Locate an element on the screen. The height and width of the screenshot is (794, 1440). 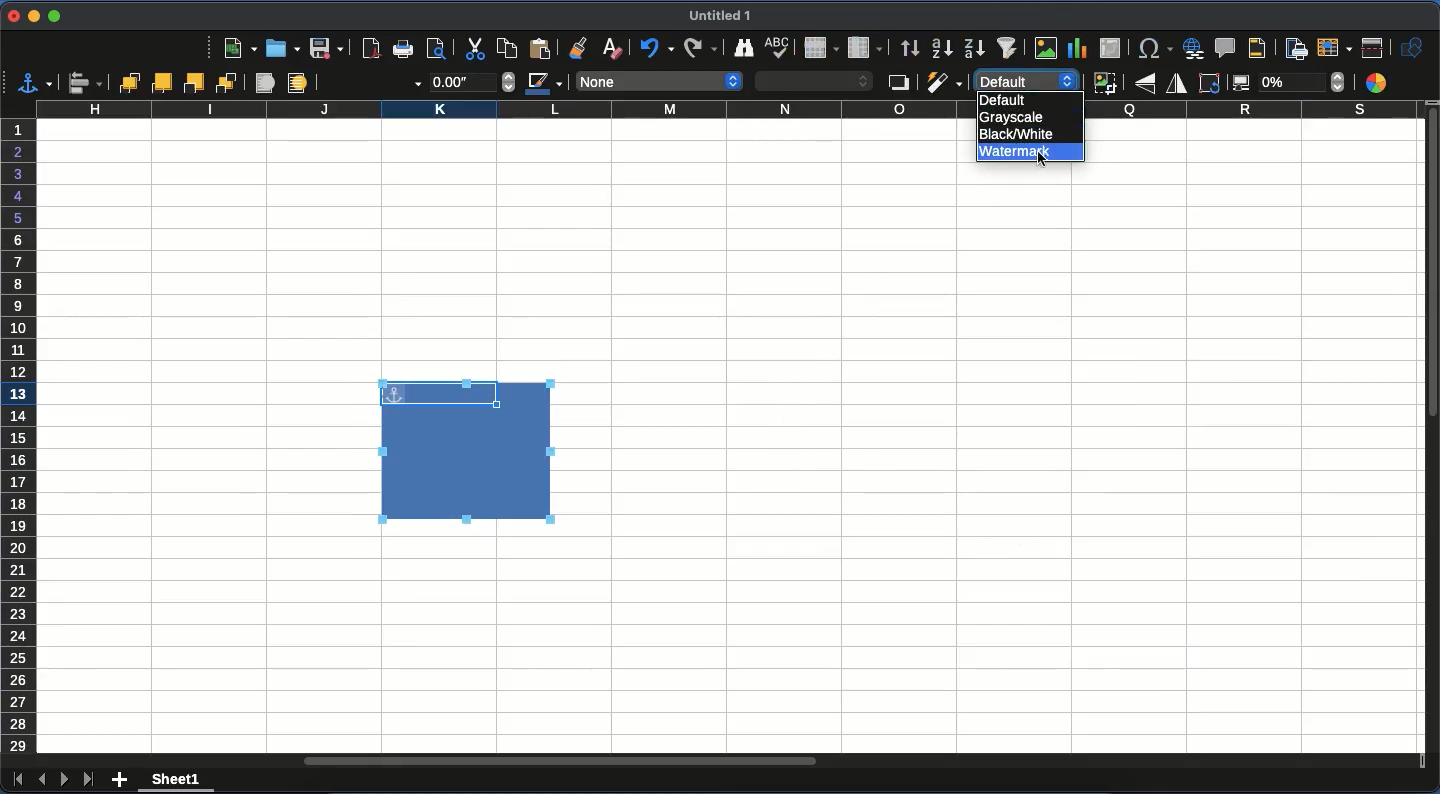
select anchor for object is located at coordinates (39, 86).